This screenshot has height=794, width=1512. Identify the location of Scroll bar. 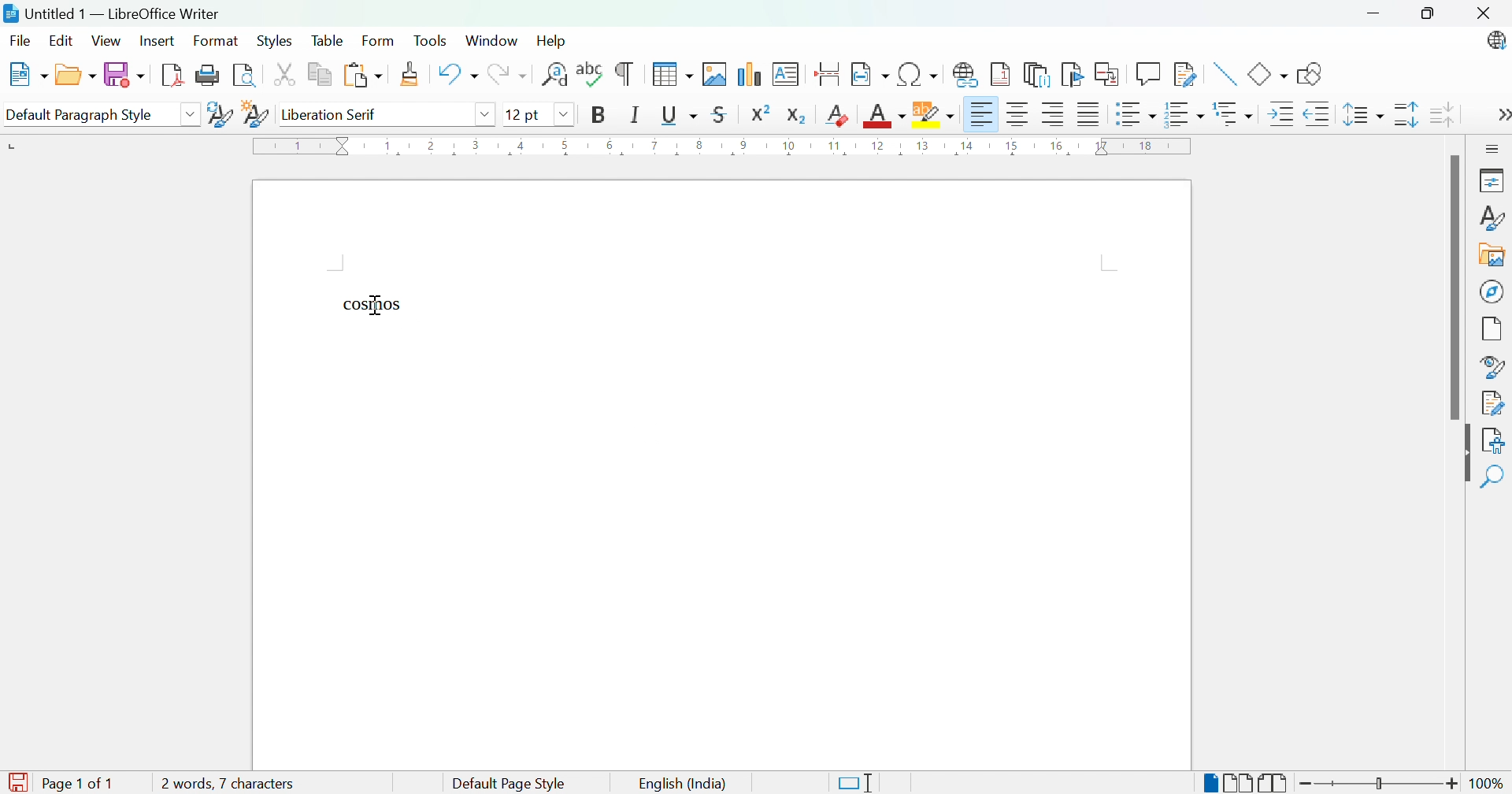
(1449, 289).